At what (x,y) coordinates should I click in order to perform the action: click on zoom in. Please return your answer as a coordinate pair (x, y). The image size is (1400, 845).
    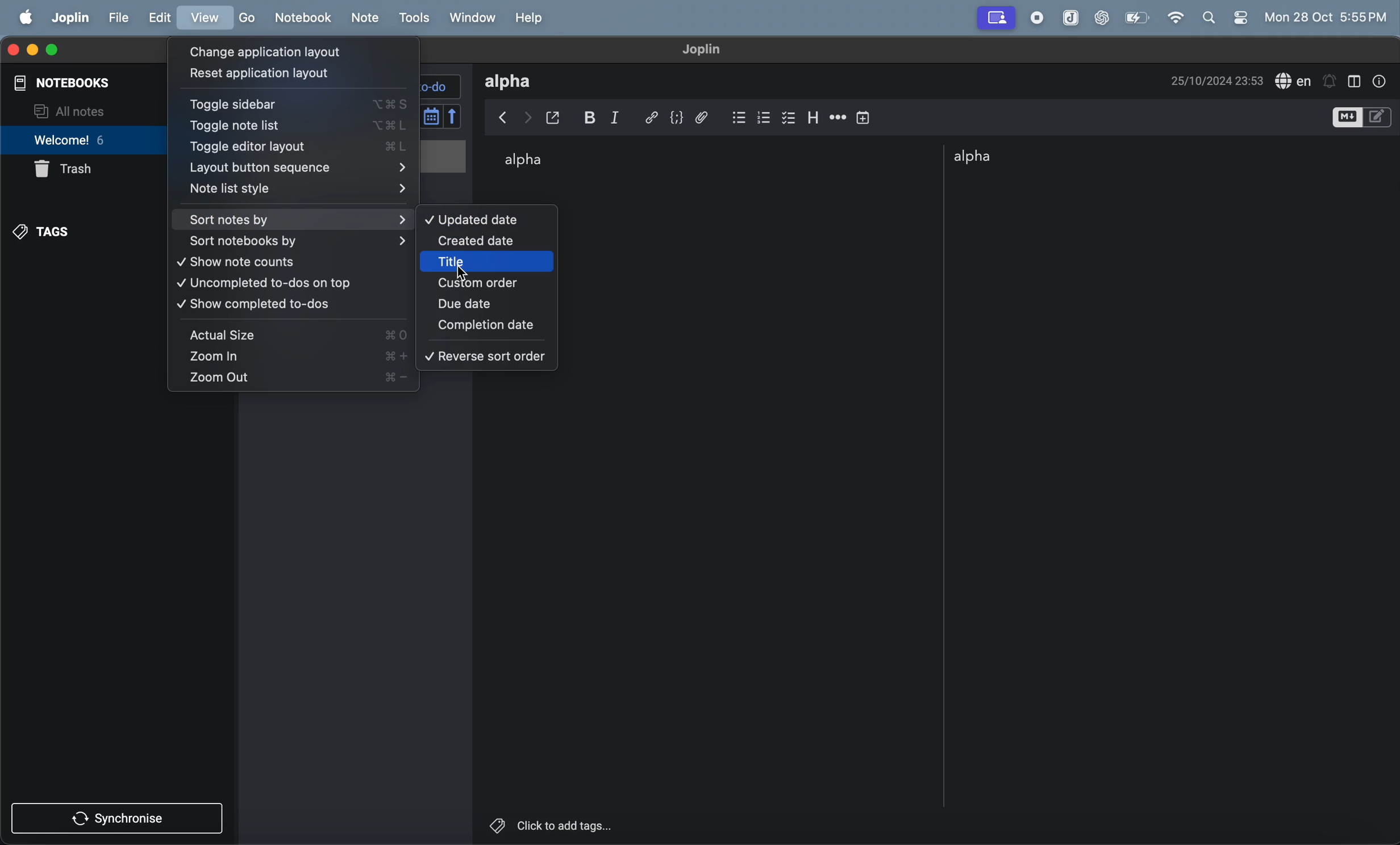
    Looking at the image, I should click on (295, 357).